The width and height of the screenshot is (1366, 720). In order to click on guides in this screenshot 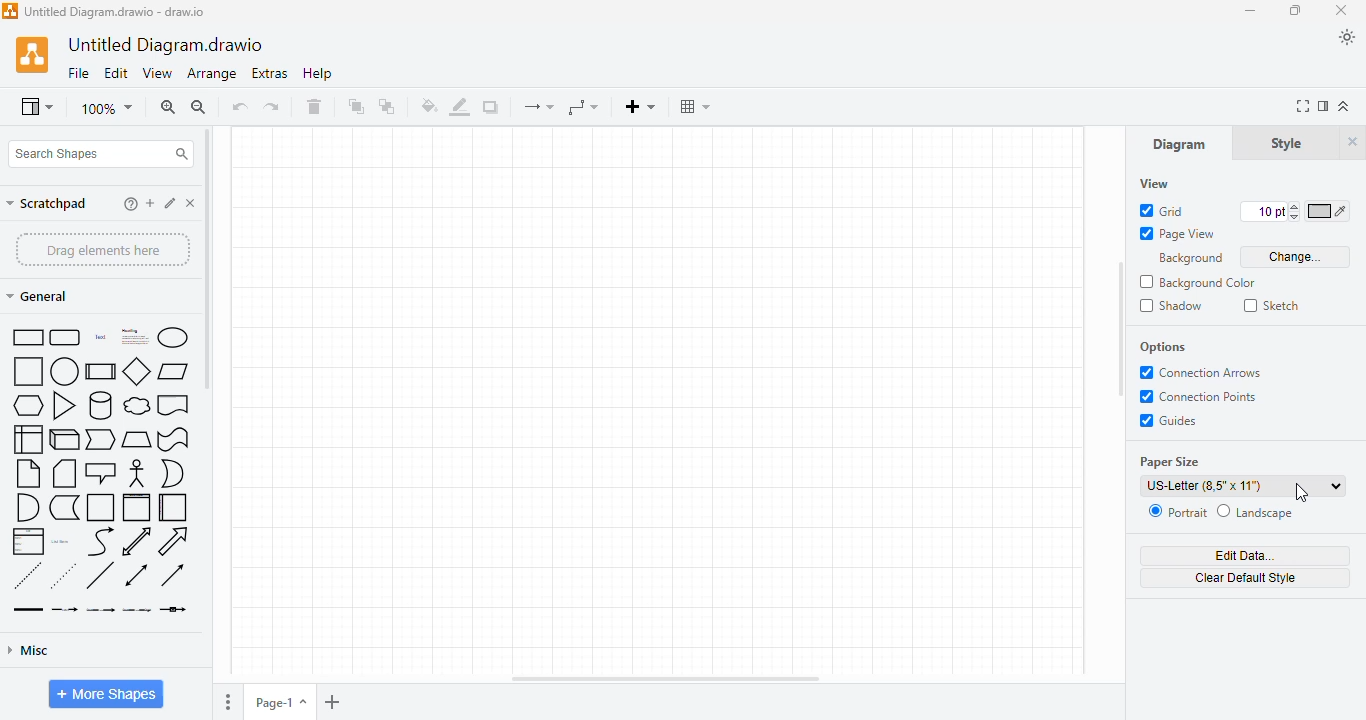, I will do `click(1168, 420)`.